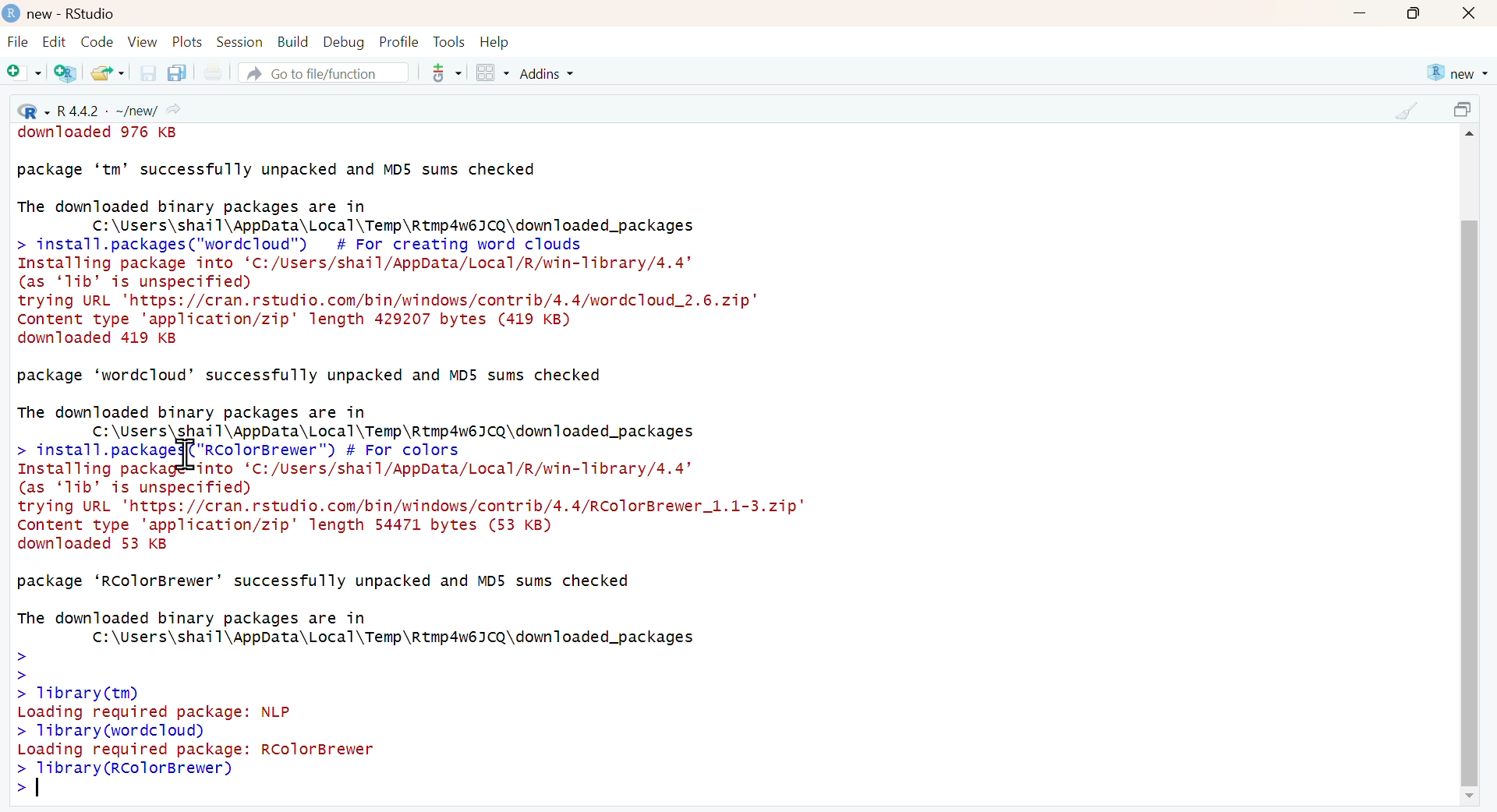  I want to click on Code, so click(97, 41).